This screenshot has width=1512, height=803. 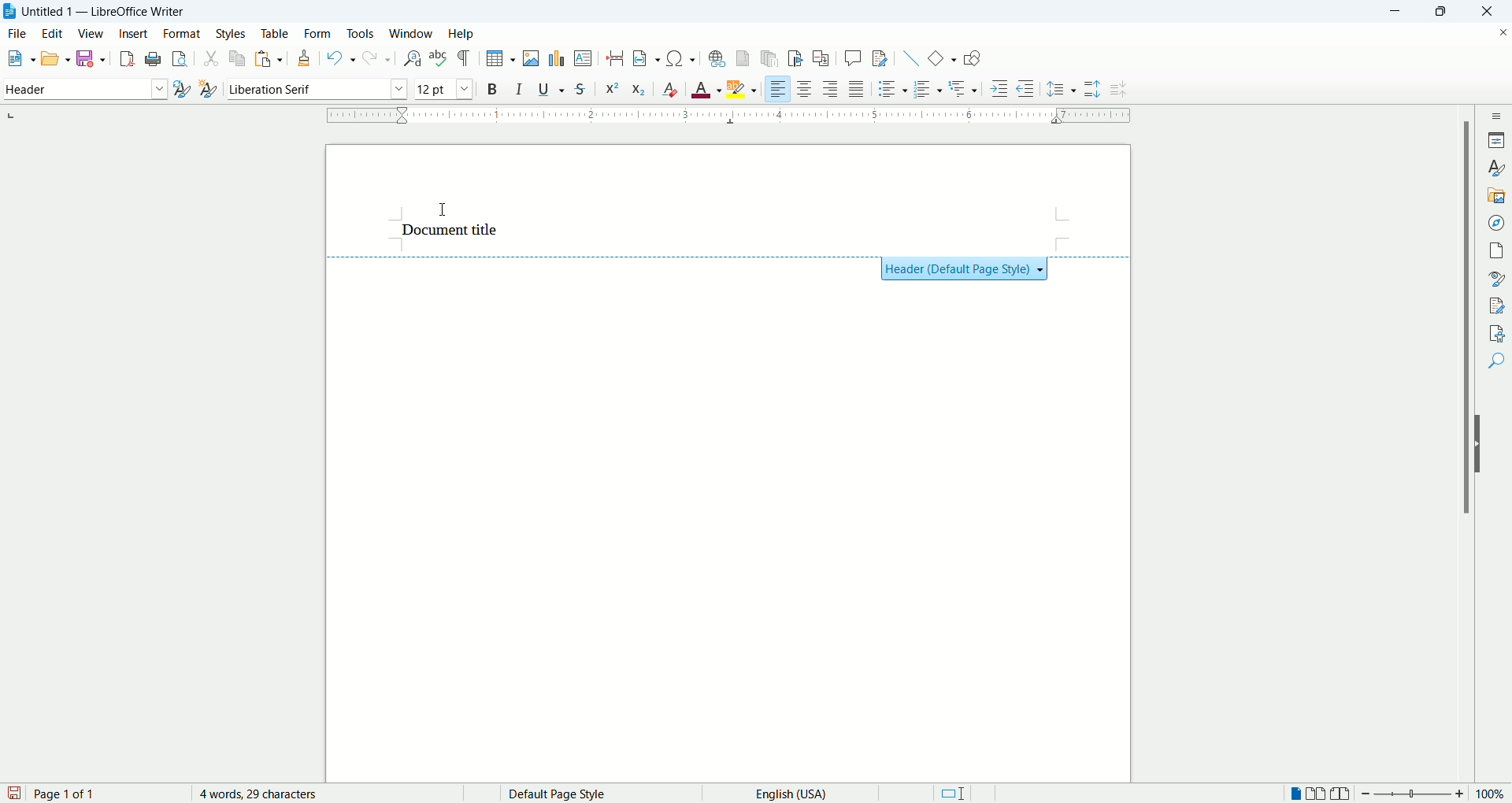 What do you see at coordinates (228, 35) in the screenshot?
I see `styles` at bounding box center [228, 35].